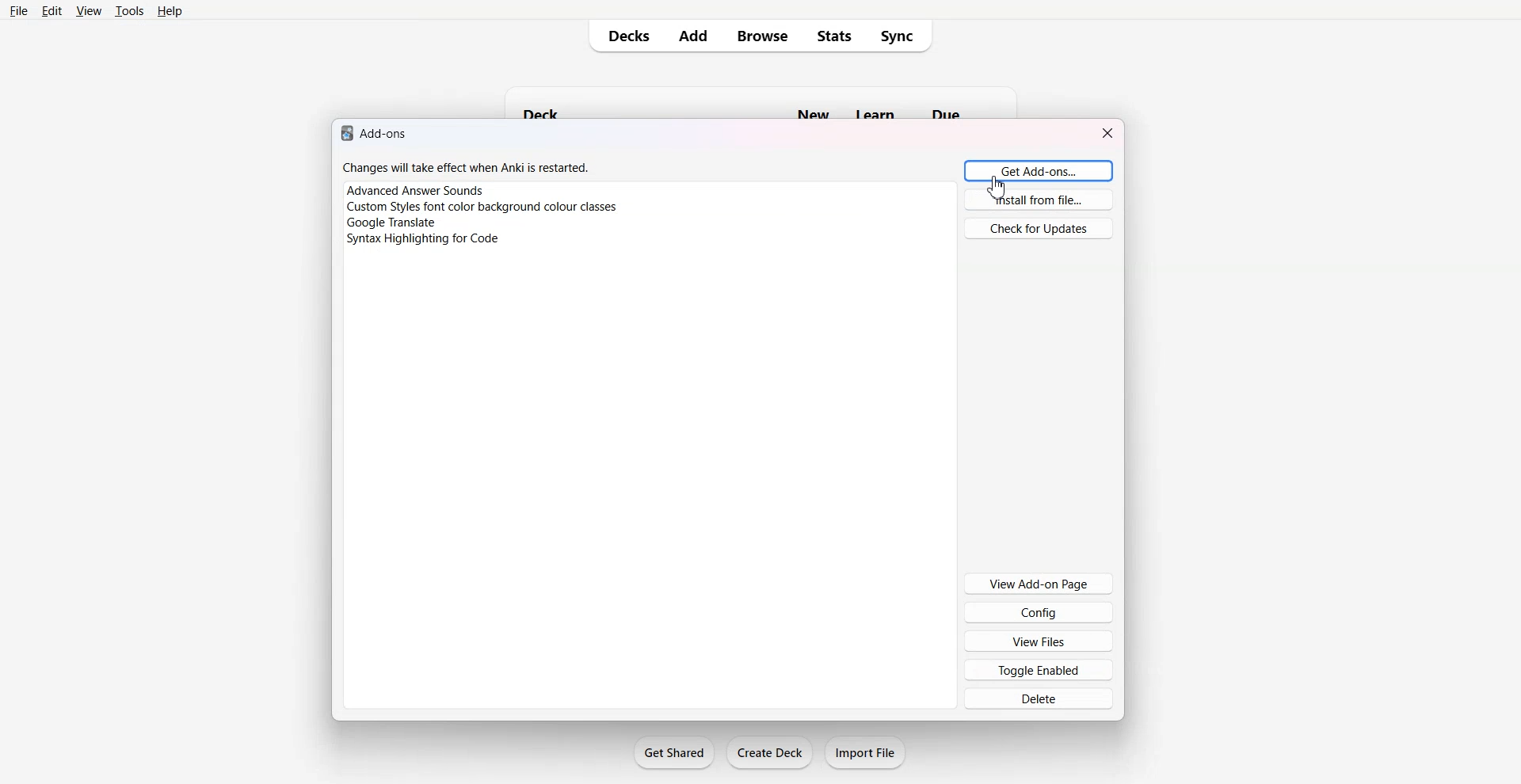 This screenshot has width=1521, height=784. Describe the element at coordinates (423, 239) in the screenshot. I see `syntax highlighting for code` at that location.